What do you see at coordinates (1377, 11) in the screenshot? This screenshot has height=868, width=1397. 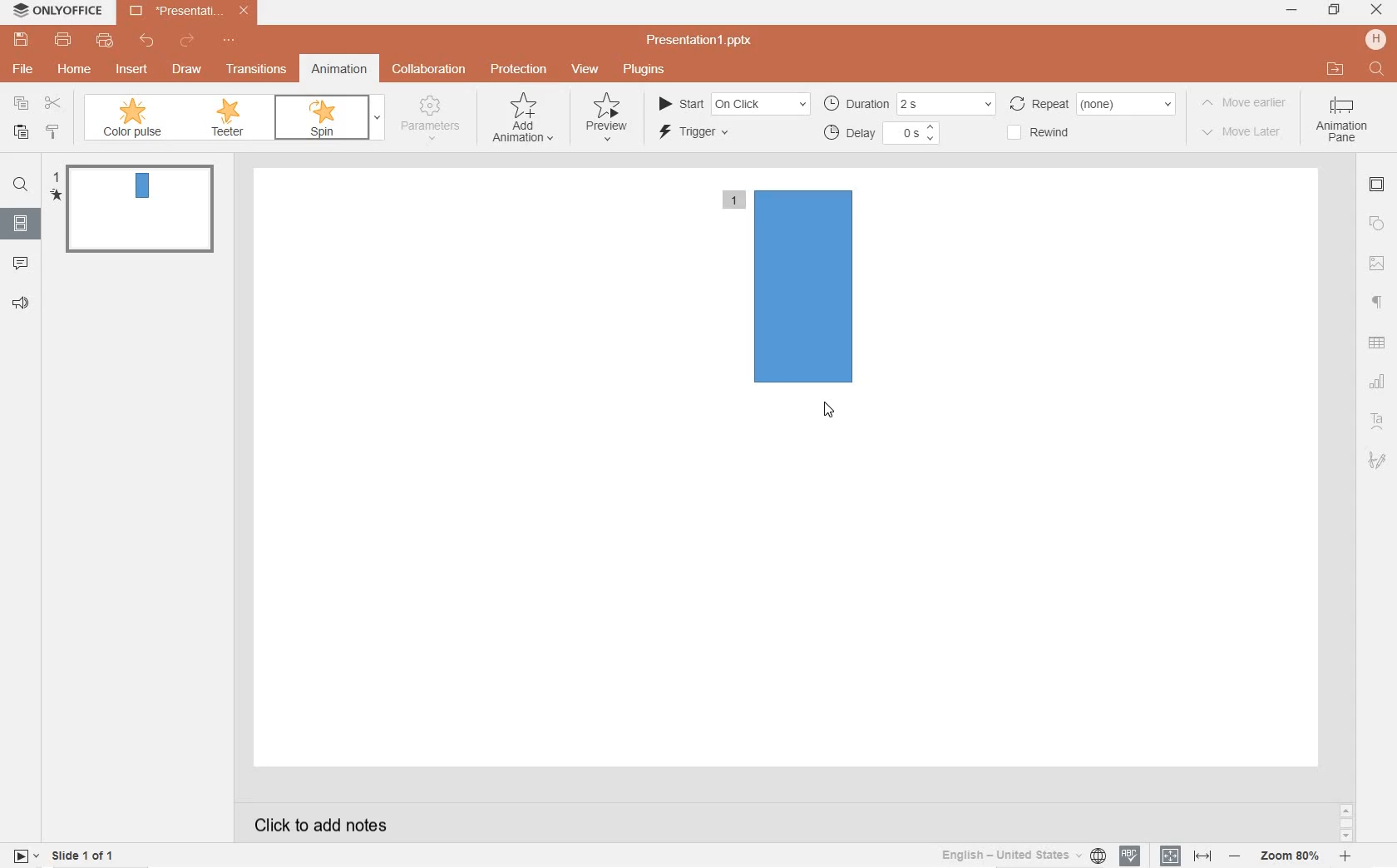 I see `CLOSE` at bounding box center [1377, 11].